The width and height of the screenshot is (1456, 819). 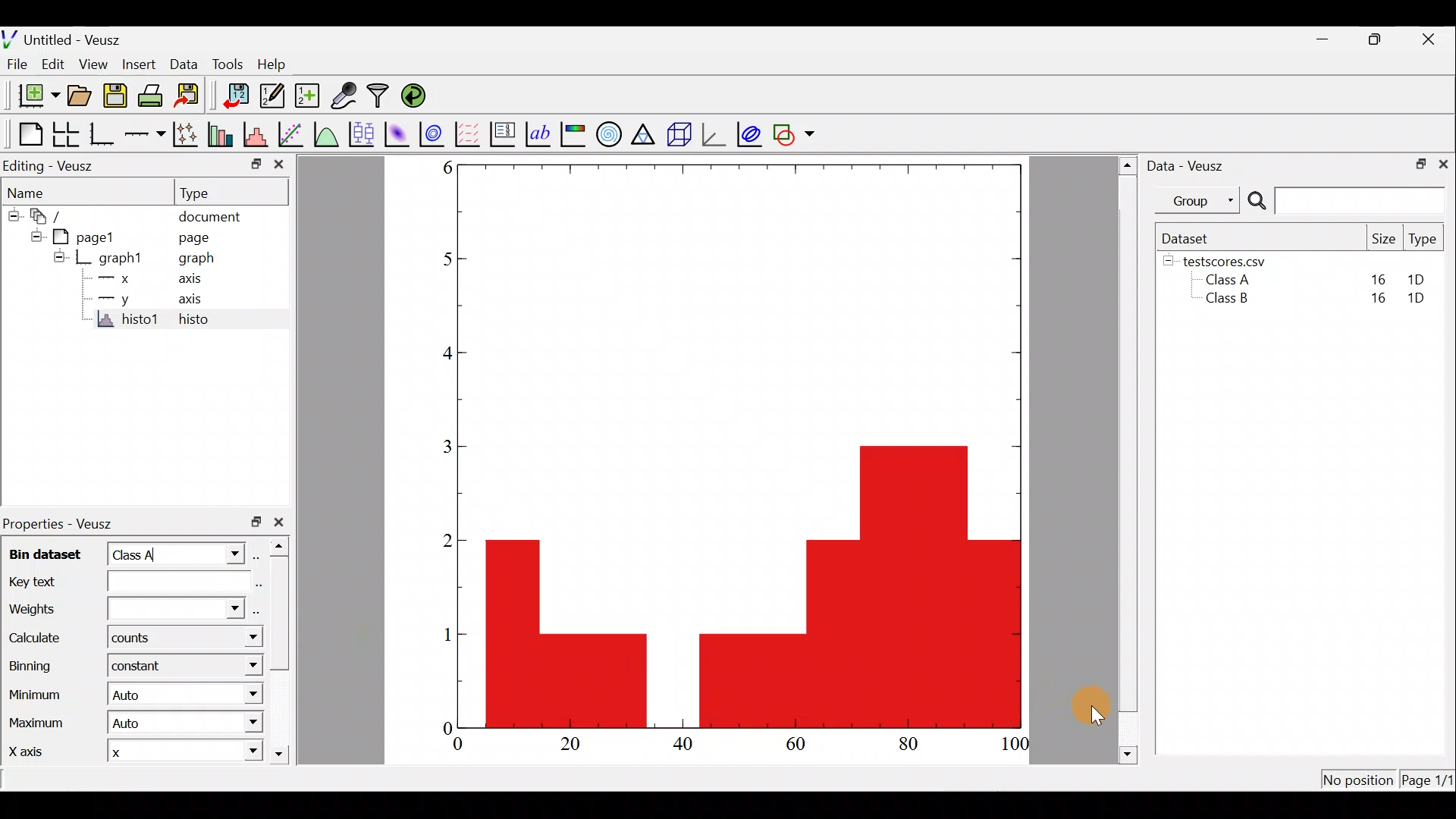 What do you see at coordinates (1379, 40) in the screenshot?
I see `Restore down` at bounding box center [1379, 40].